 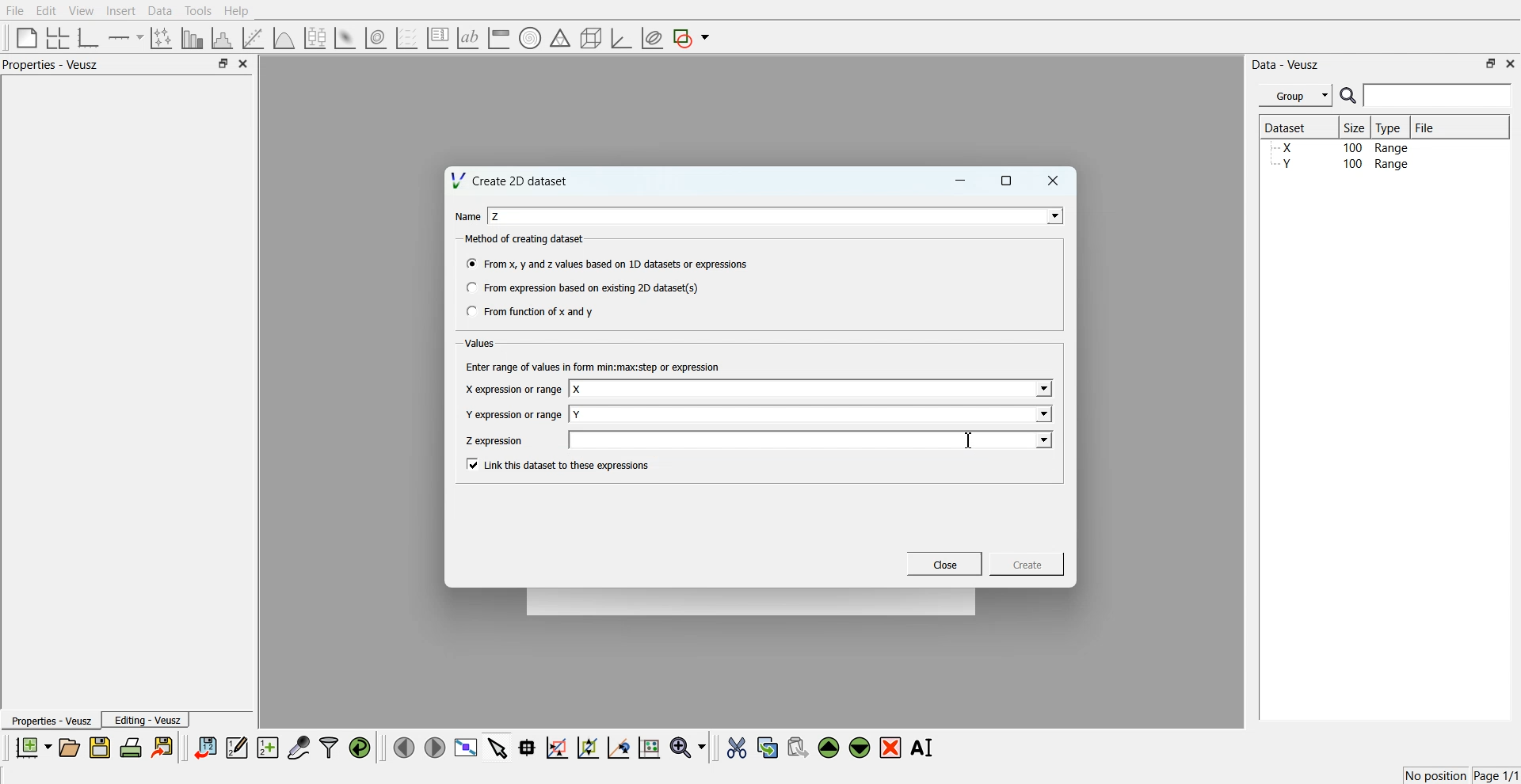 I want to click on Plot covariance ellipsis, so click(x=653, y=39).